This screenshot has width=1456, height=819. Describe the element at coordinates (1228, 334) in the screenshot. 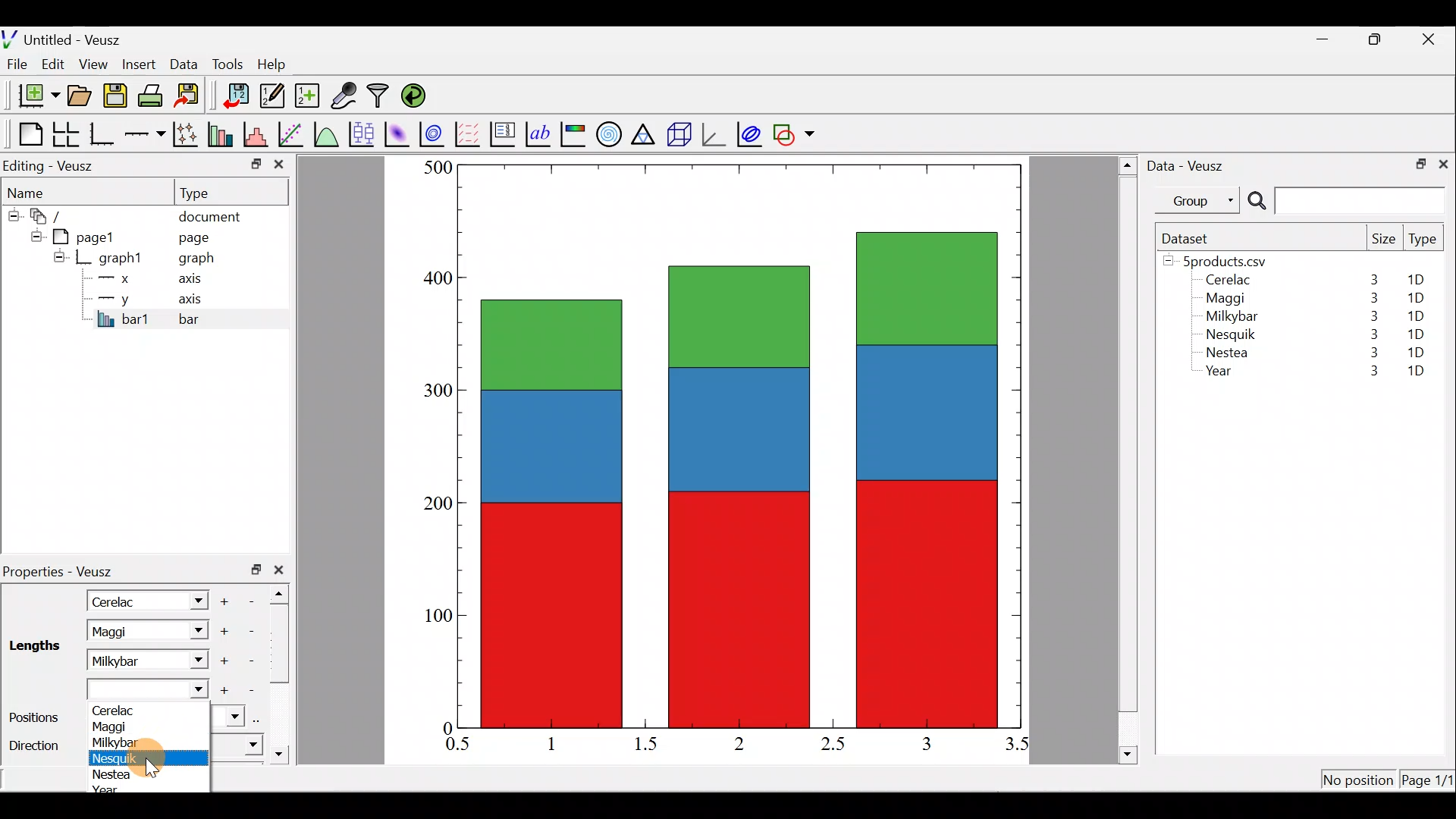

I see `Nesquik` at that location.